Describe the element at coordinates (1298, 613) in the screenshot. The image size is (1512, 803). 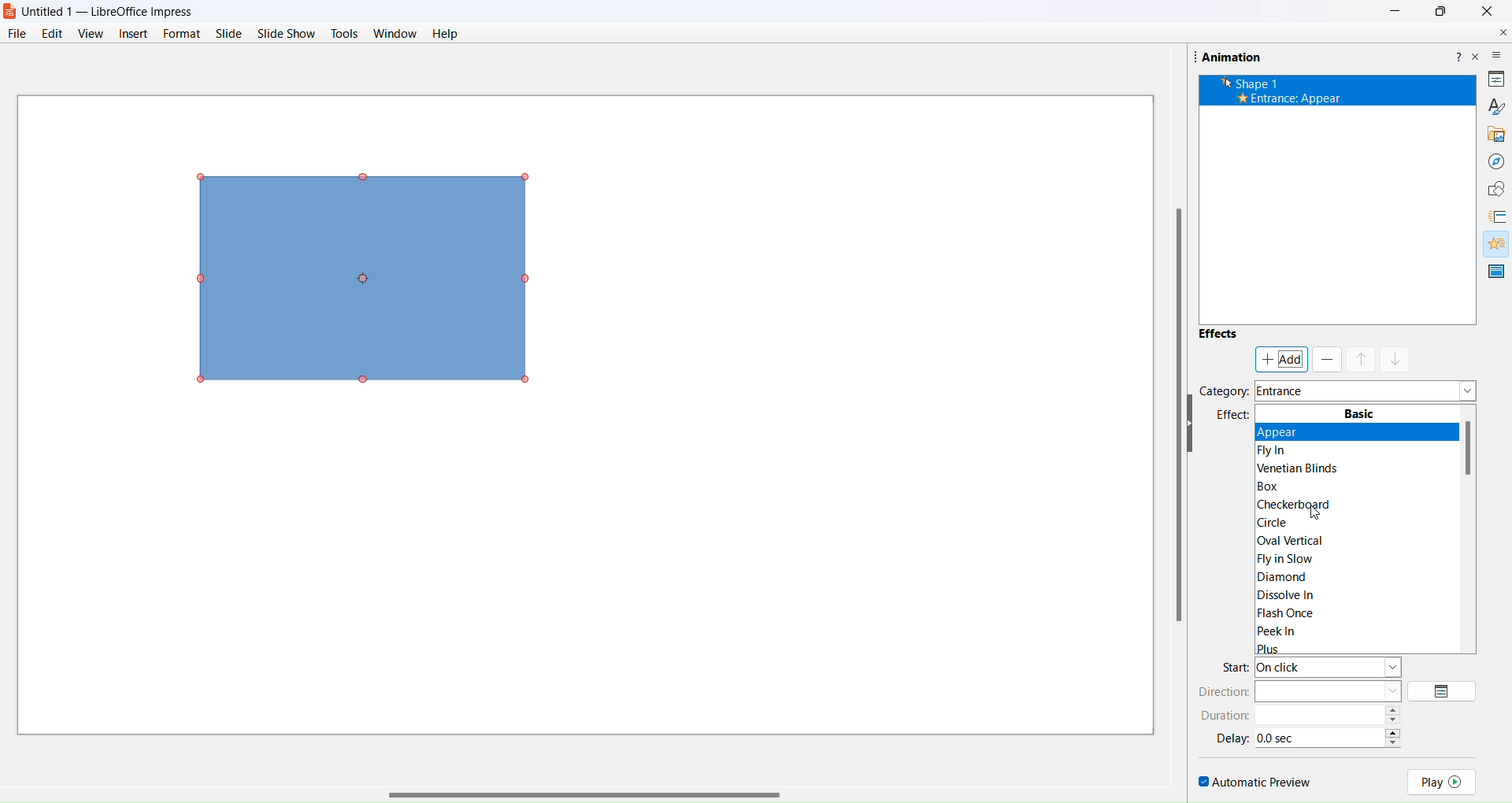
I see `Flash Once` at that location.